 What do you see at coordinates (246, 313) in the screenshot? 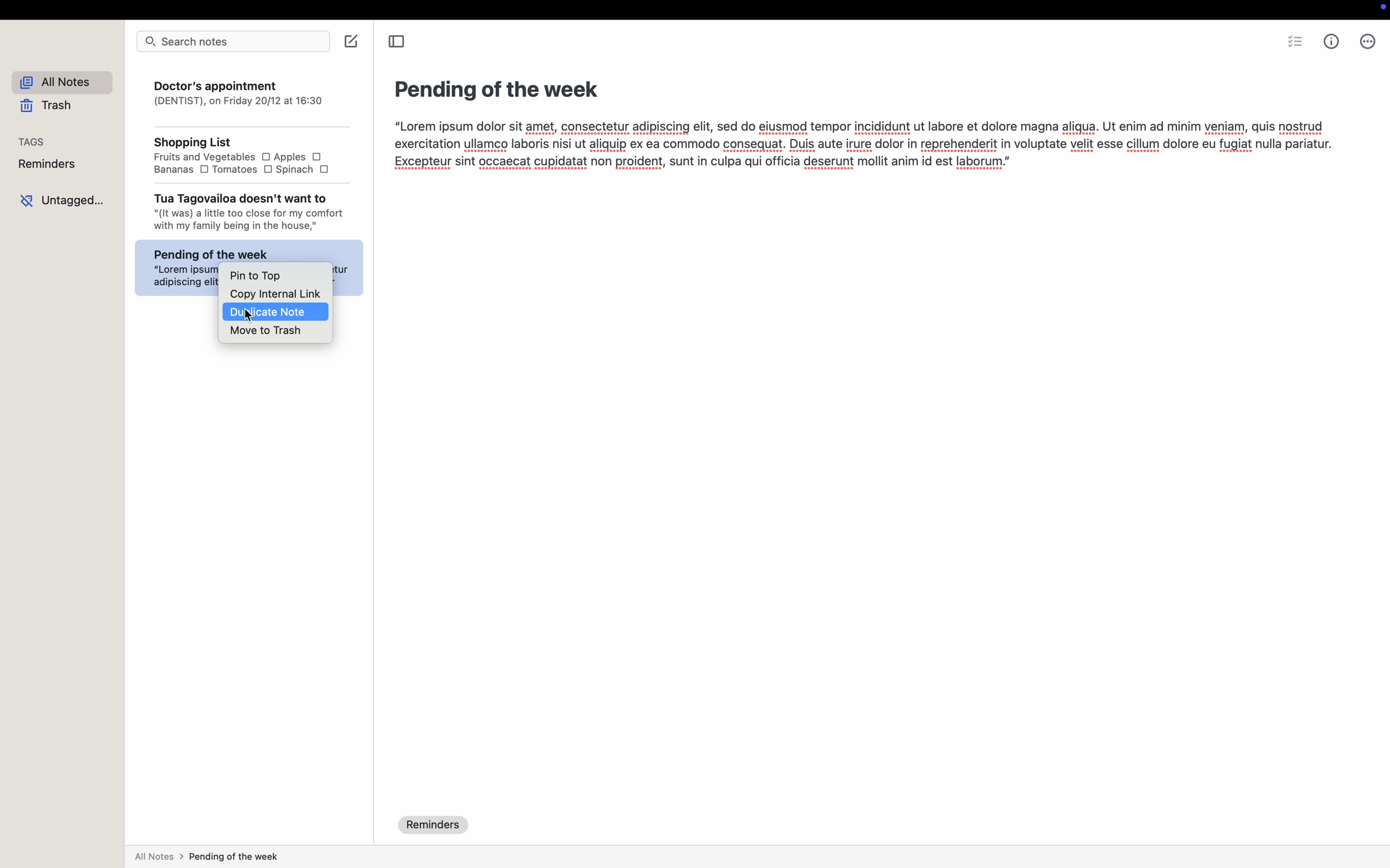
I see `cursor` at bounding box center [246, 313].